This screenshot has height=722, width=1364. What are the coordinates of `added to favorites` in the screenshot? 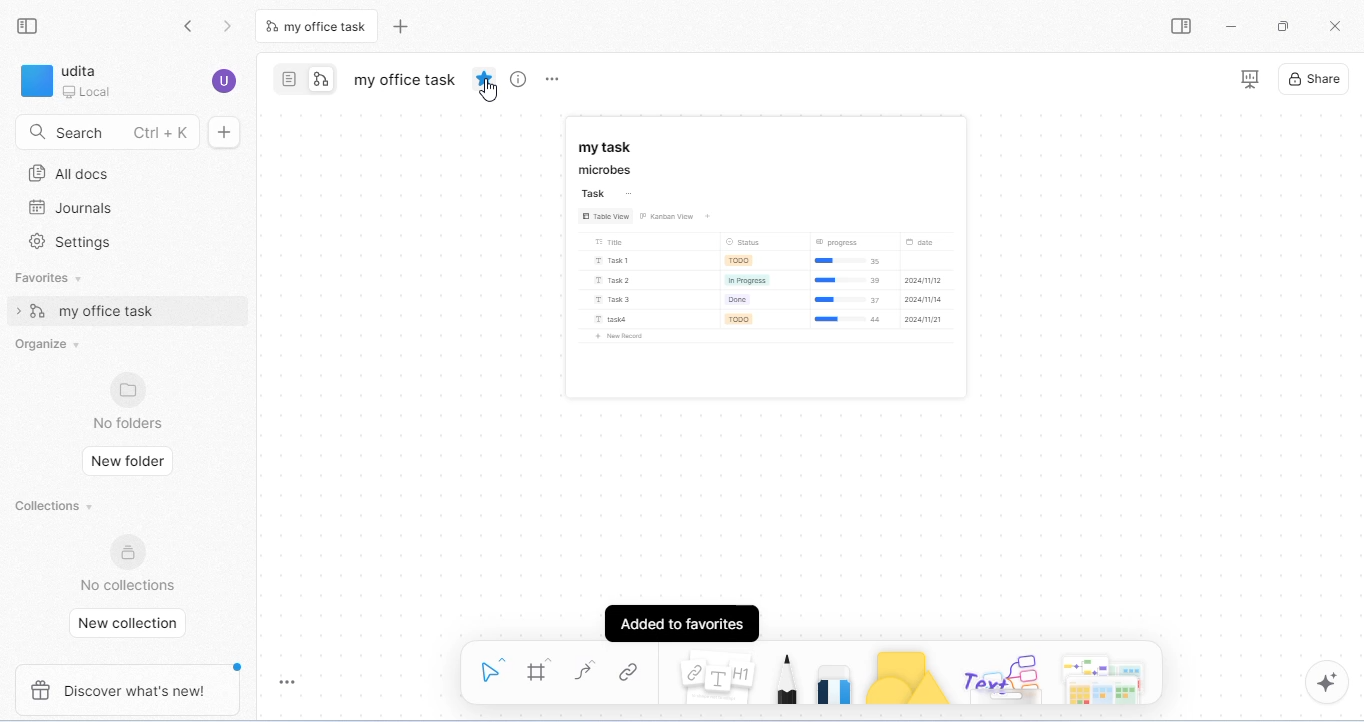 It's located at (683, 619).